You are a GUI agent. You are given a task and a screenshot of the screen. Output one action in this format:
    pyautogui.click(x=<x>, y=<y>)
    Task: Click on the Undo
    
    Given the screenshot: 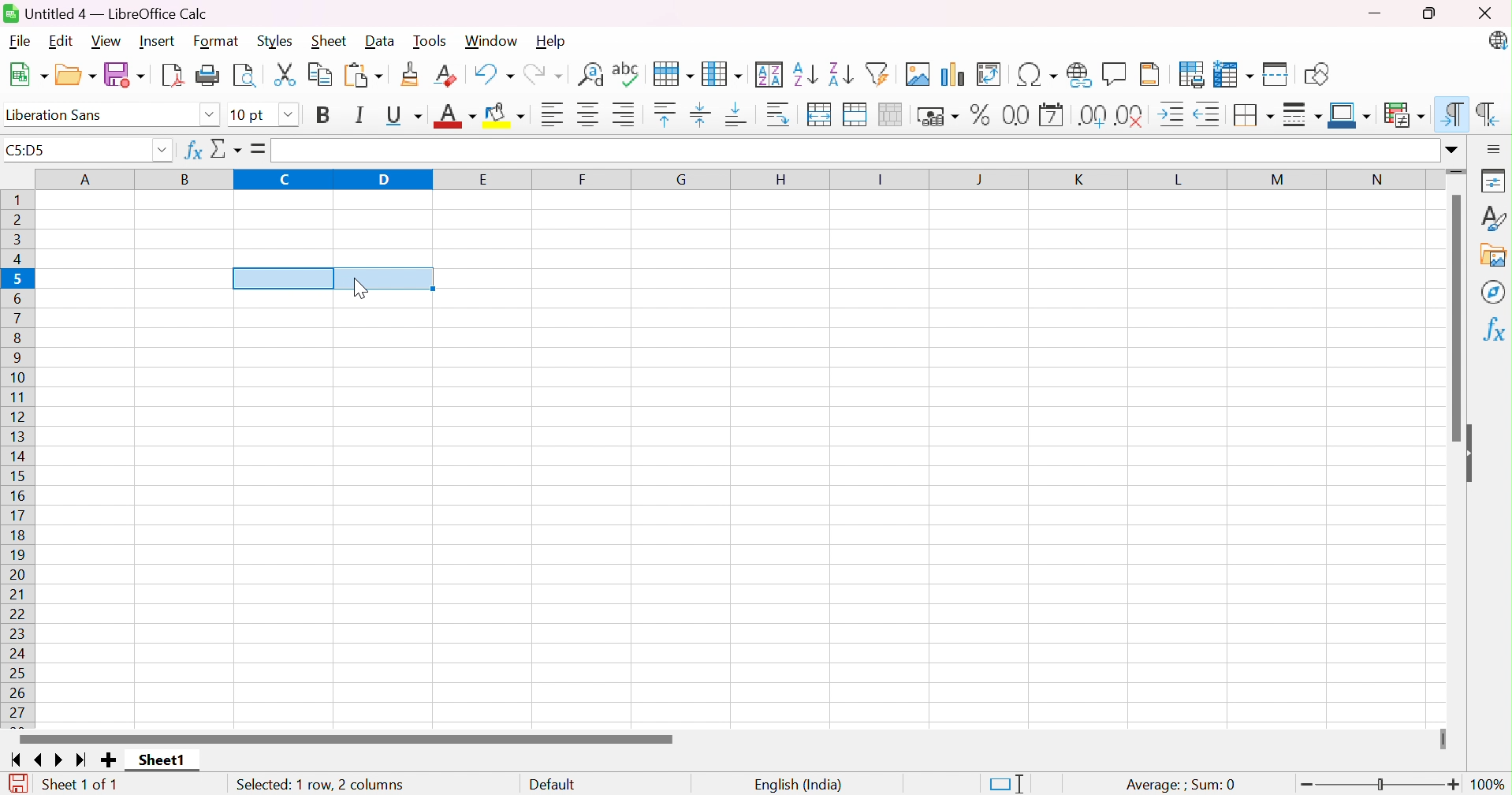 What is the action you would take?
    pyautogui.click(x=493, y=73)
    